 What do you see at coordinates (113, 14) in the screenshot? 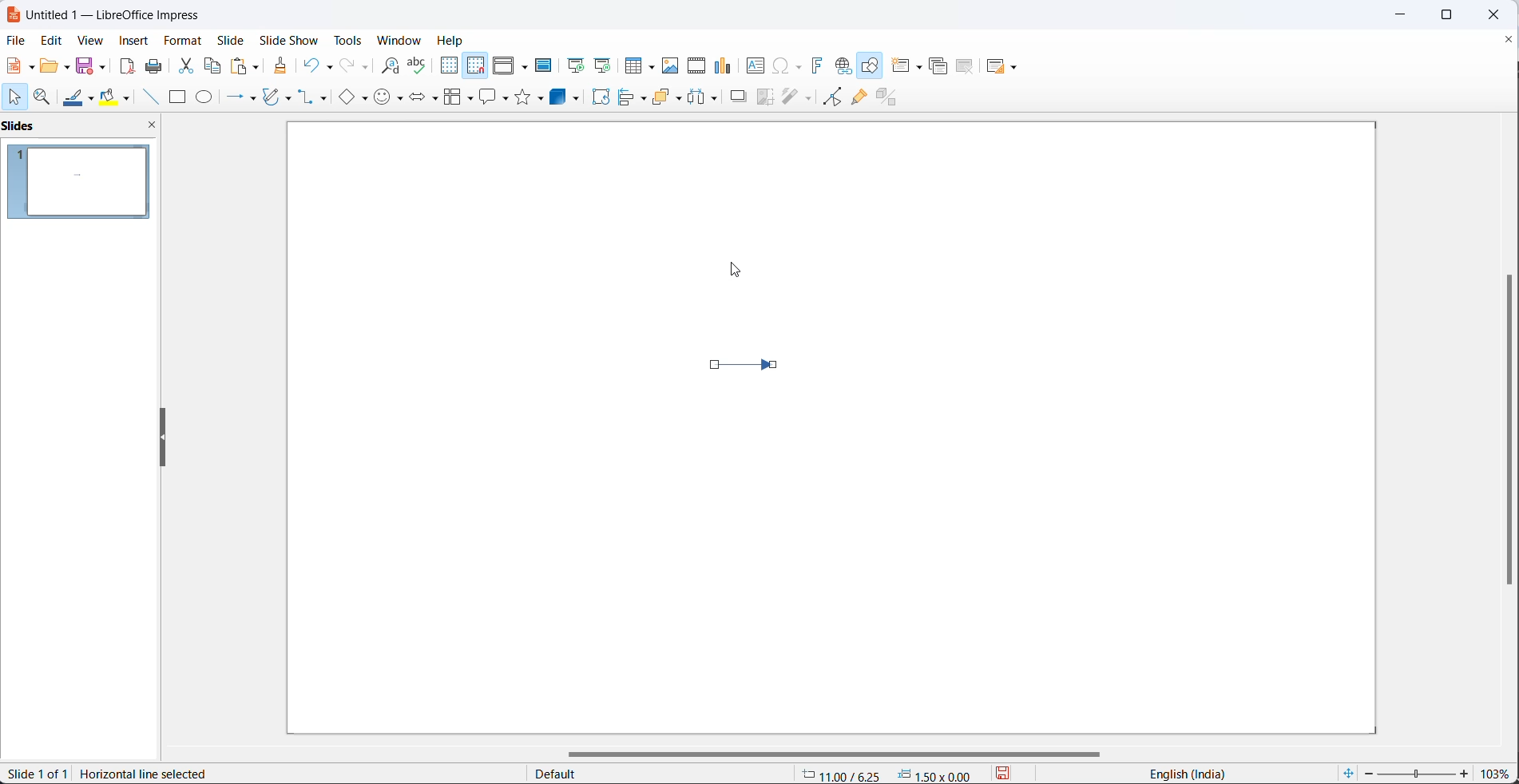
I see `Untitled 1- LibreOffice impress` at bounding box center [113, 14].